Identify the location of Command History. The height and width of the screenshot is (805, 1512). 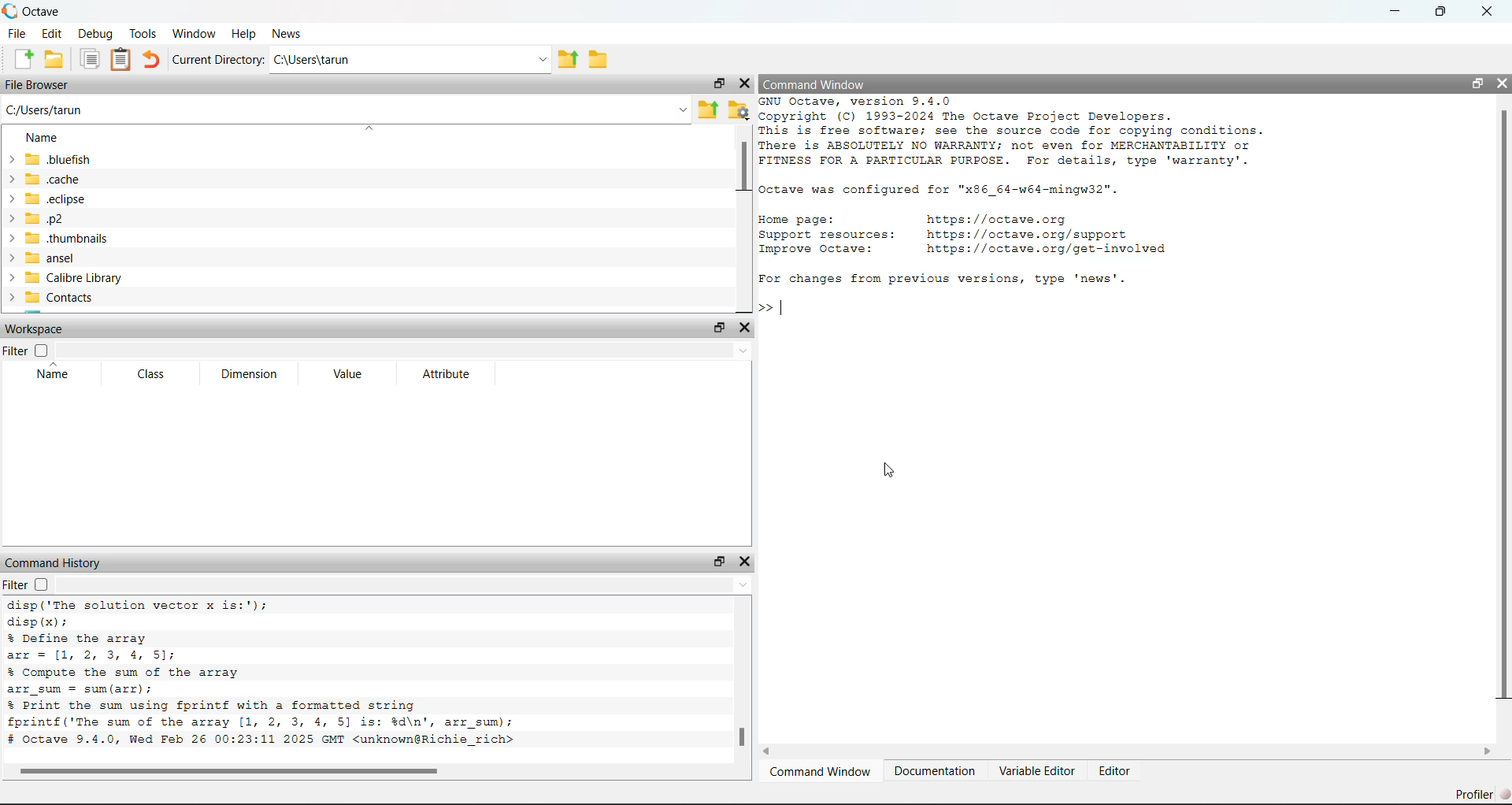
(57, 562).